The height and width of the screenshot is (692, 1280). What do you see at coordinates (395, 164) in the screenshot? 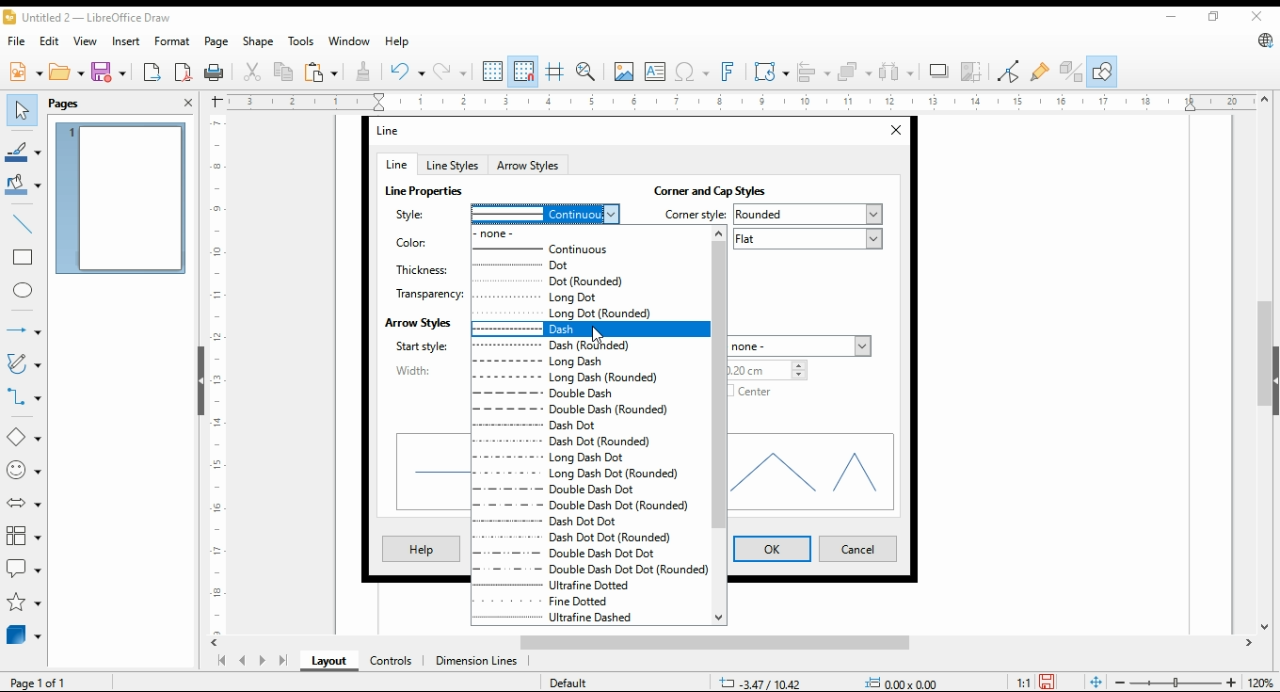
I see `line` at bounding box center [395, 164].